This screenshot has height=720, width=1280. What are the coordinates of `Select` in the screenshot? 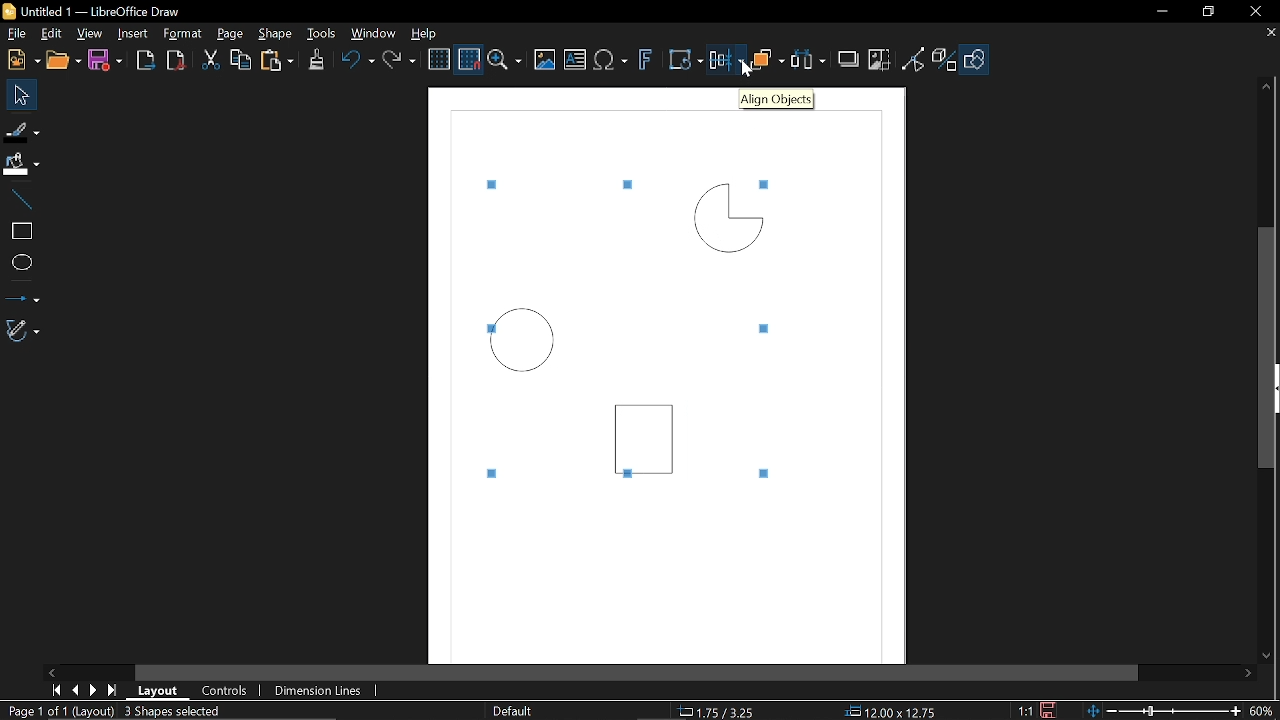 It's located at (19, 96).